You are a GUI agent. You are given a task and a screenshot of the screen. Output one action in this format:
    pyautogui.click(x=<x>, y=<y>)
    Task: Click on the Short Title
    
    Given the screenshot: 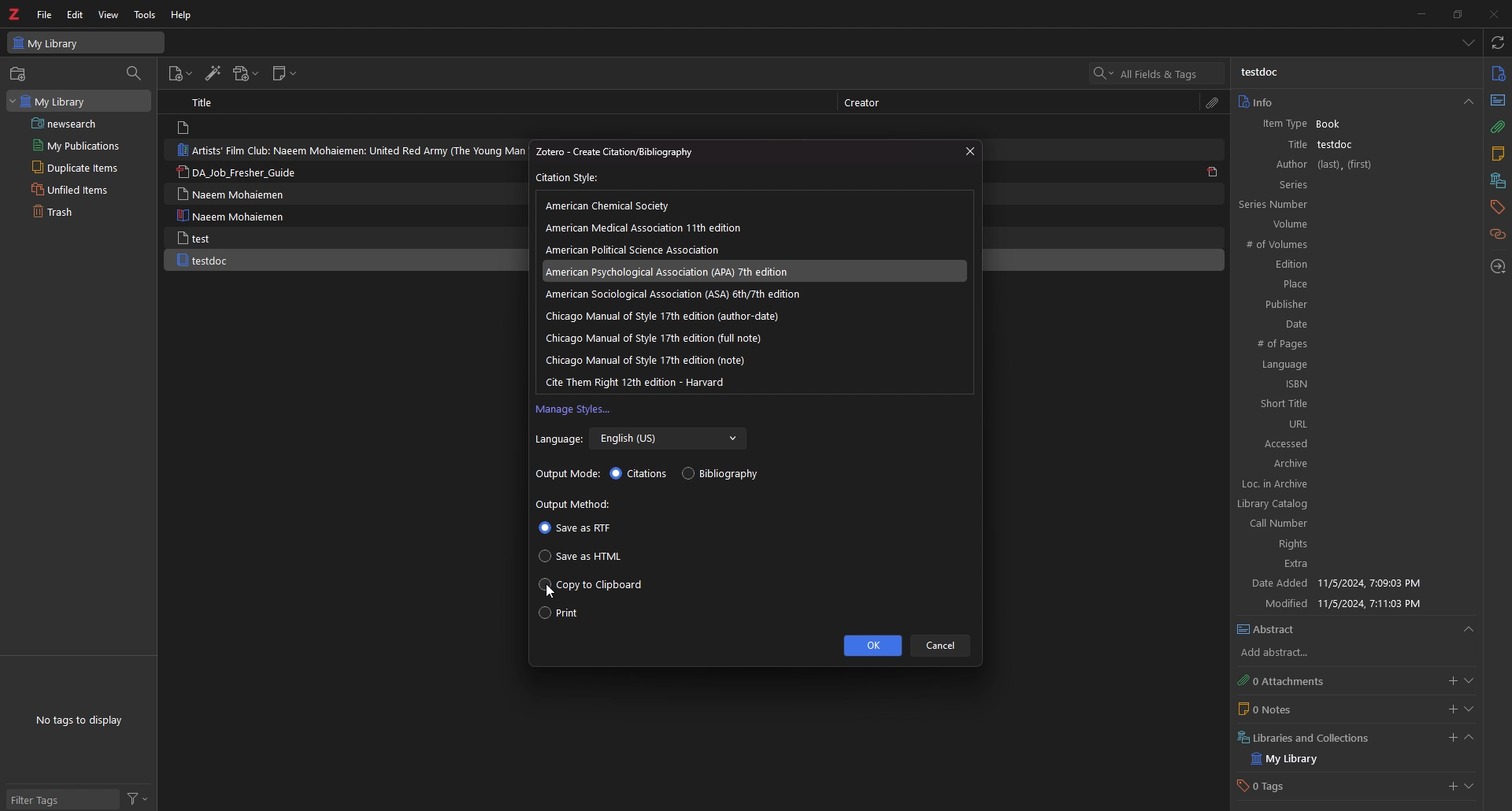 What is the action you would take?
    pyautogui.click(x=1353, y=404)
    